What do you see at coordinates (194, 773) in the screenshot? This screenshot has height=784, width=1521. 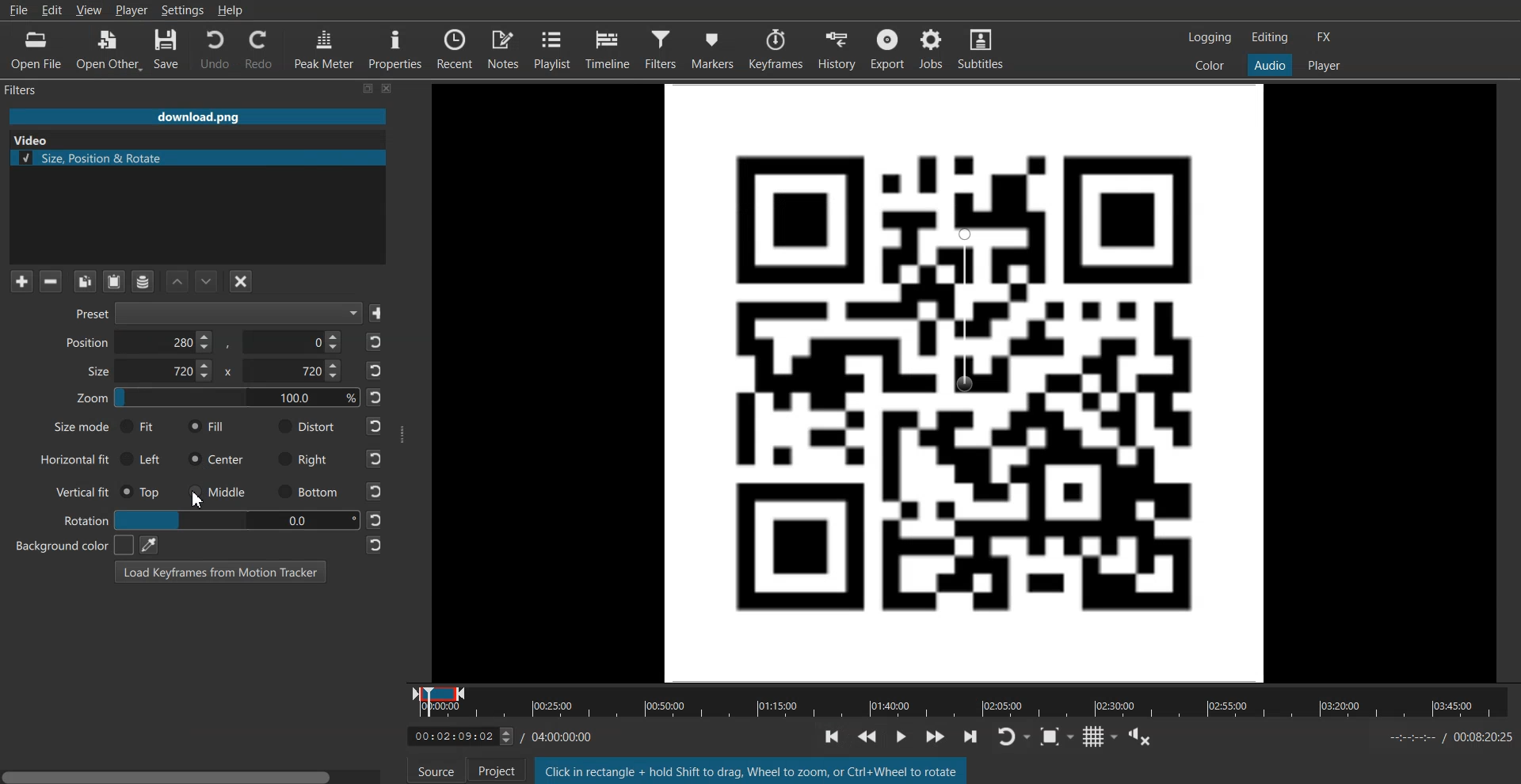 I see `Horizontal Scroll bar` at bounding box center [194, 773].